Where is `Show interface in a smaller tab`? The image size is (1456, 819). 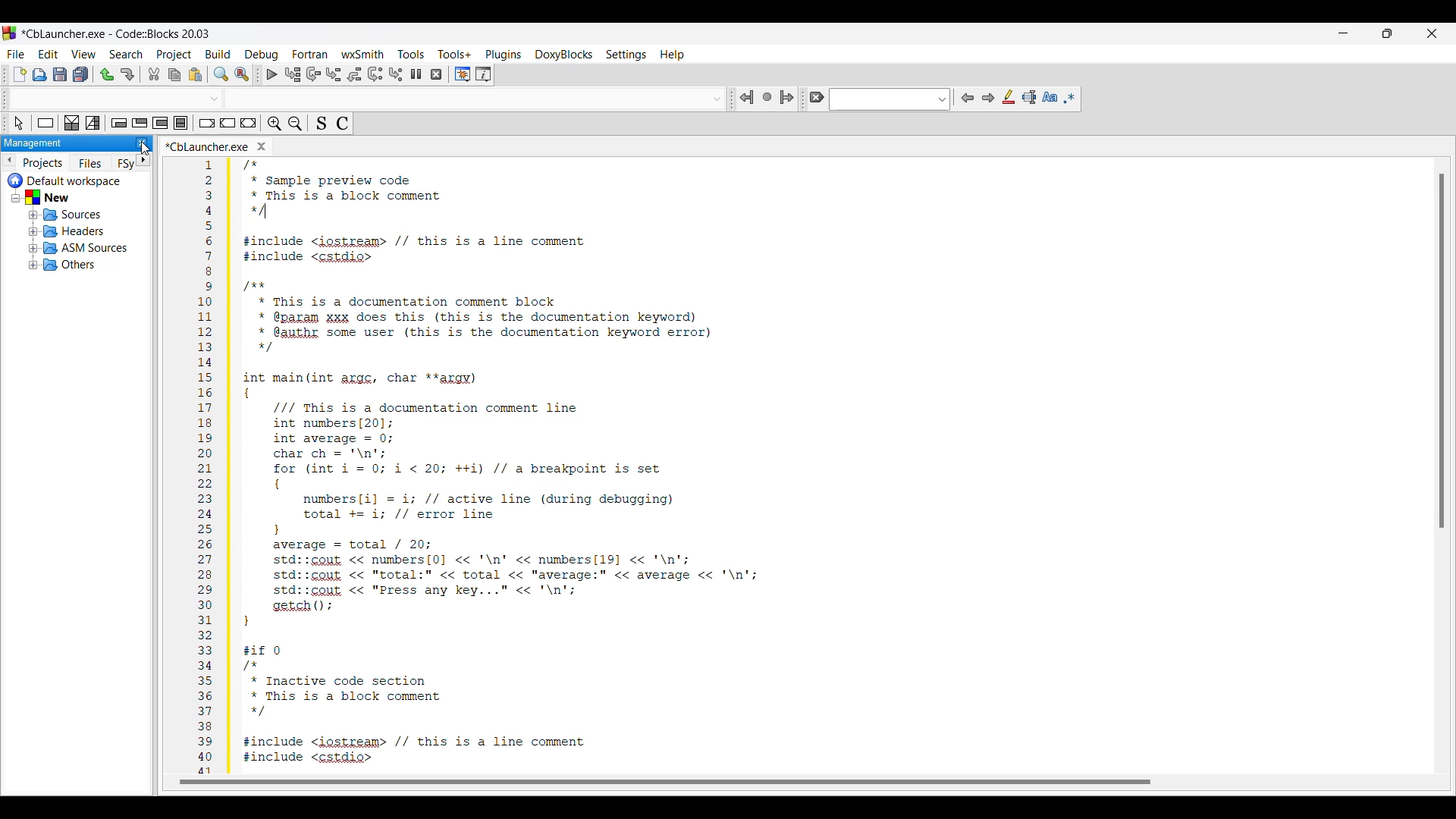
Show interface in a smaller tab is located at coordinates (1388, 33).